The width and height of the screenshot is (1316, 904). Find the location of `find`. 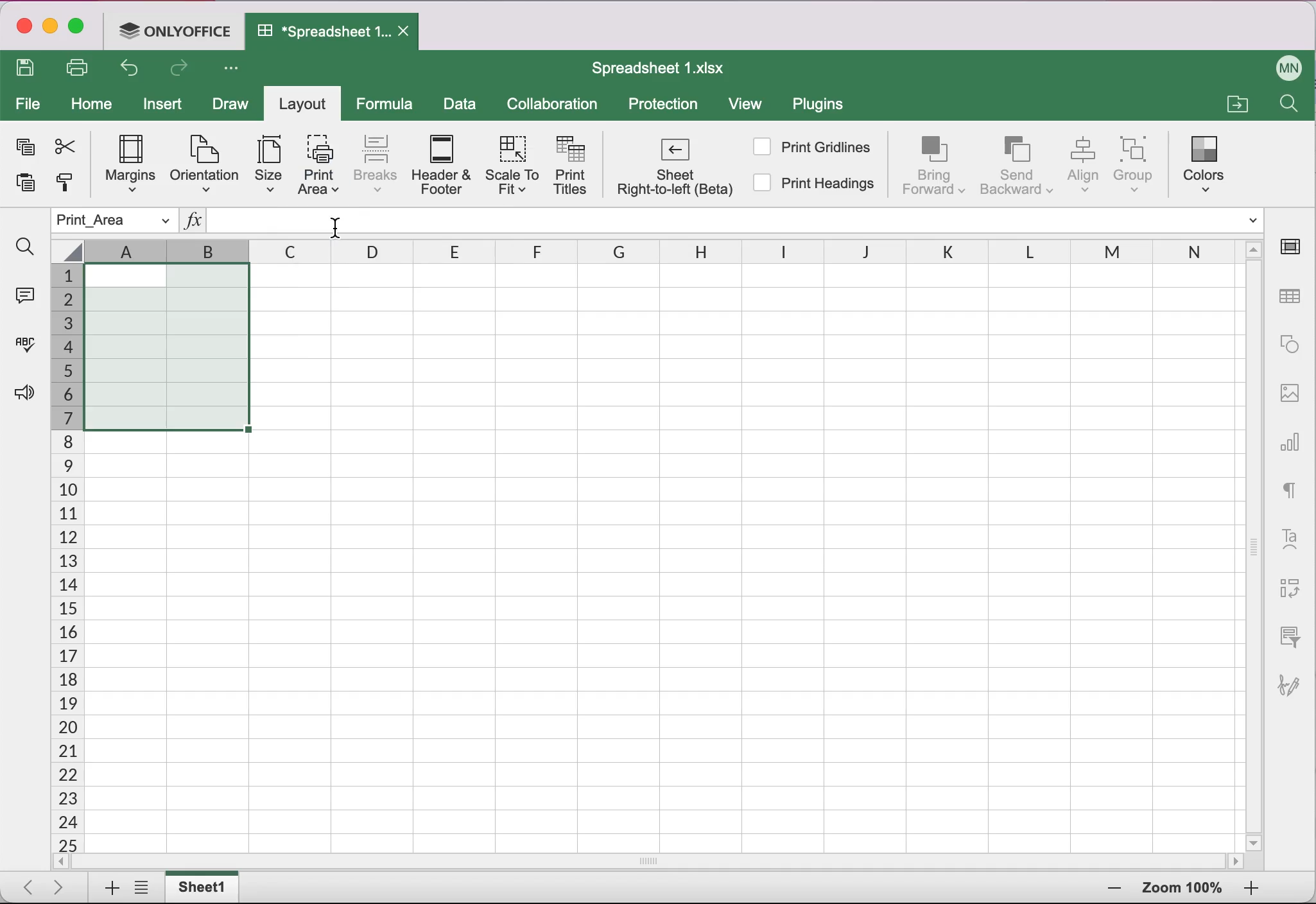

find is located at coordinates (24, 247).